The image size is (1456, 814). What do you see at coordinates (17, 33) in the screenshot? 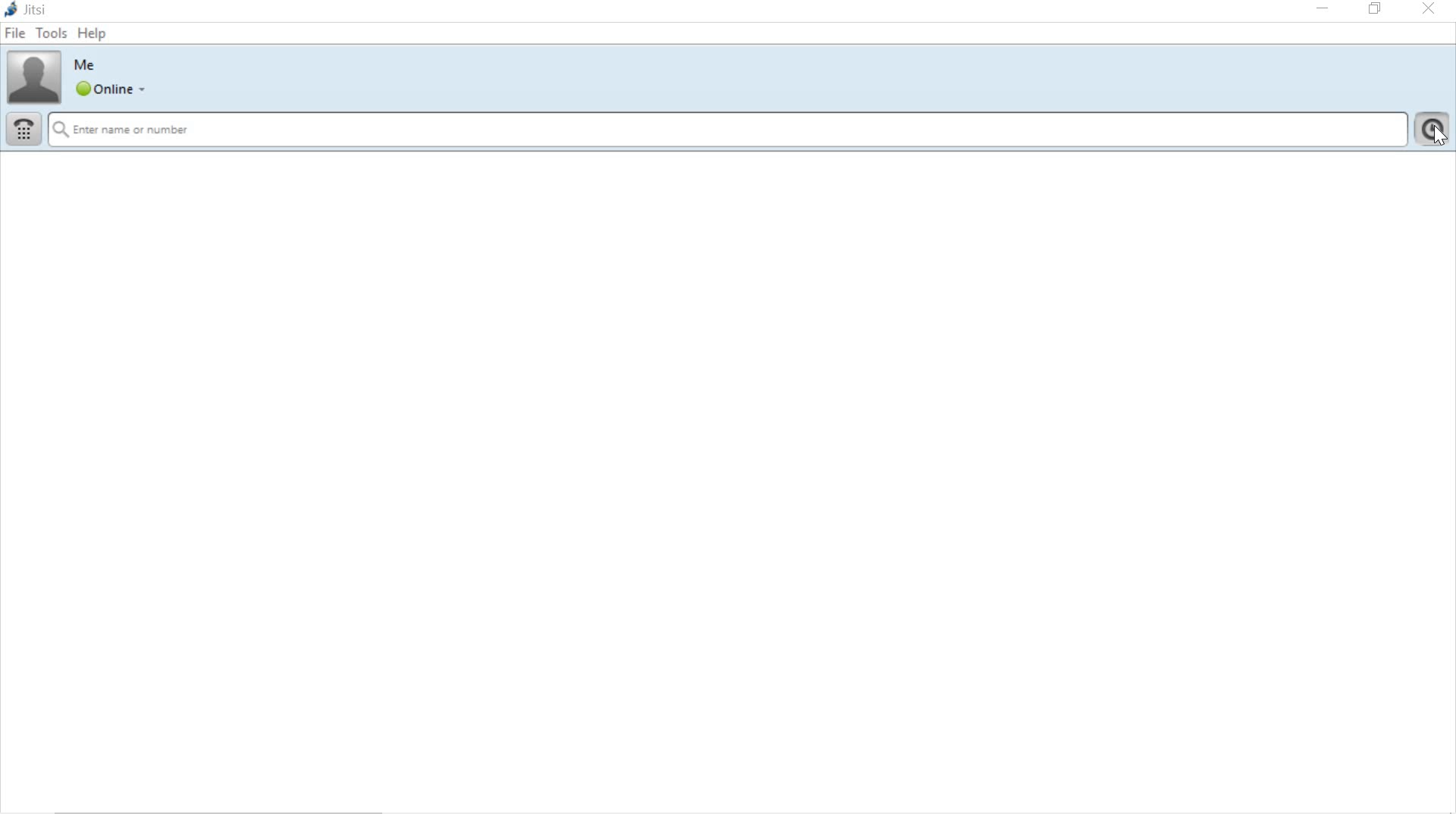
I see `file` at bounding box center [17, 33].